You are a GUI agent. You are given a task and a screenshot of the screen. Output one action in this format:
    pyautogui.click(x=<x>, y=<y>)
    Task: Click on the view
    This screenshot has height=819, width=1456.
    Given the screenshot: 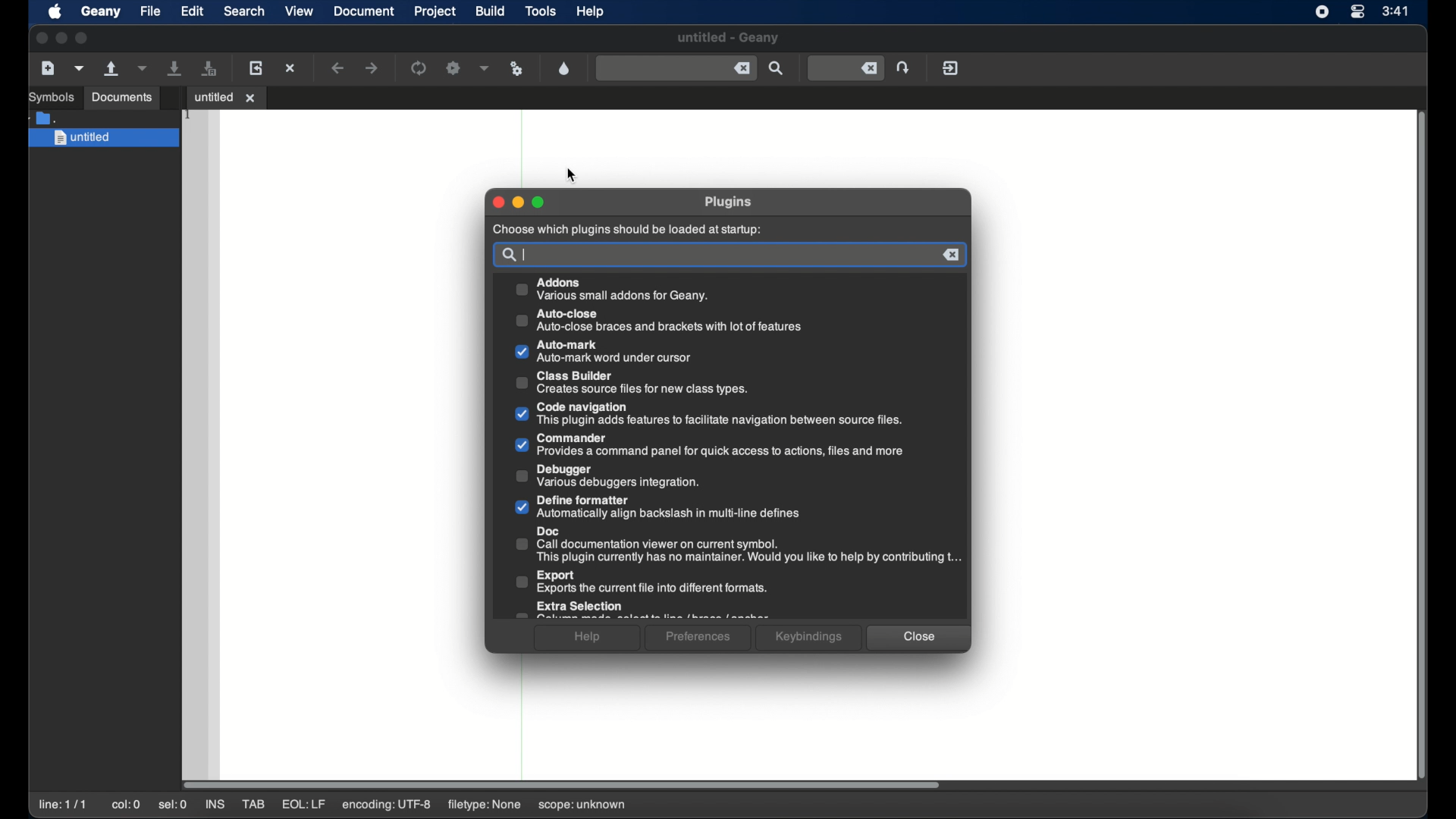 What is the action you would take?
    pyautogui.click(x=300, y=11)
    